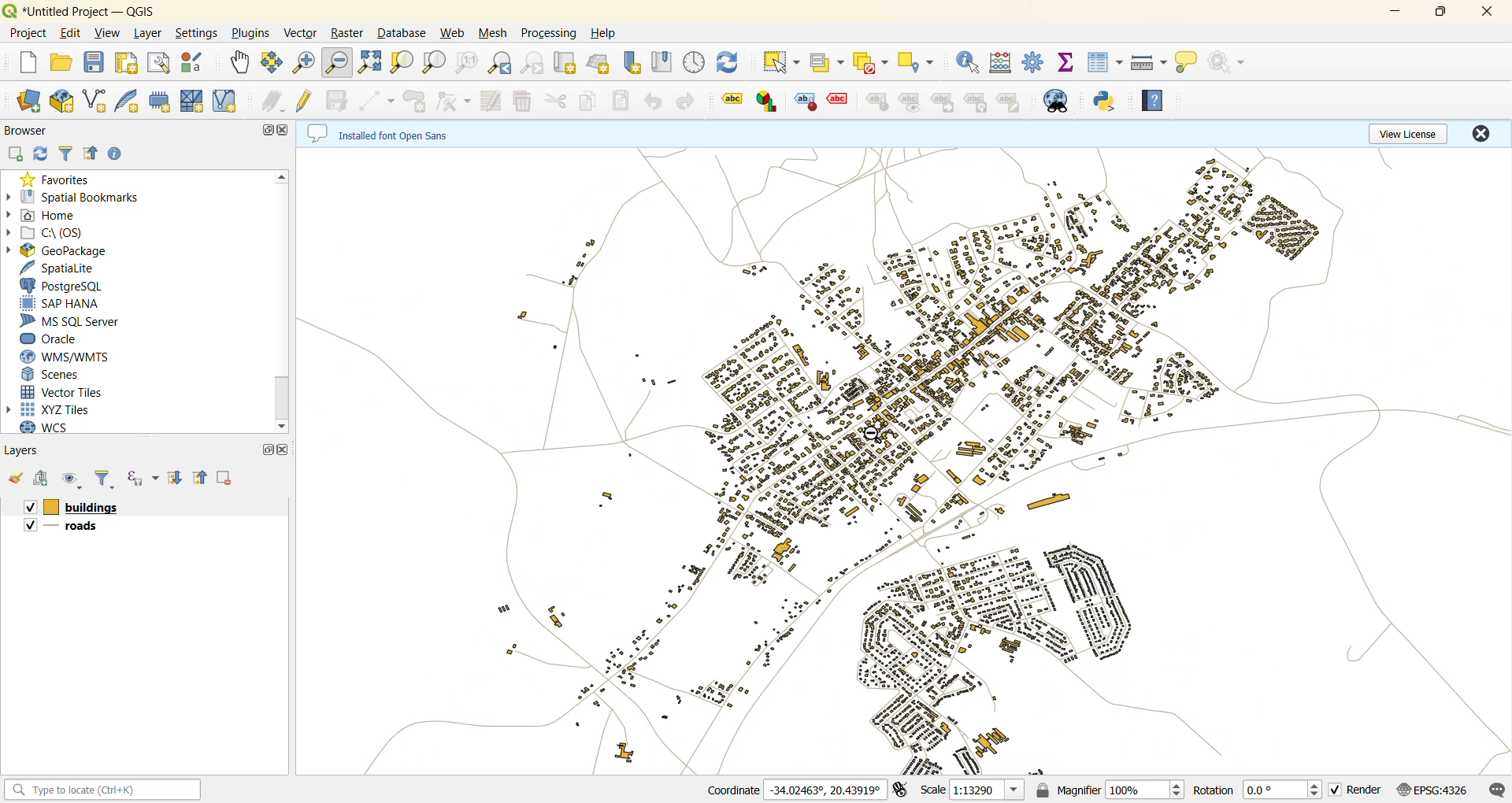 The width and height of the screenshot is (1512, 803). What do you see at coordinates (1255, 791) in the screenshot?
I see `rotation` at bounding box center [1255, 791].